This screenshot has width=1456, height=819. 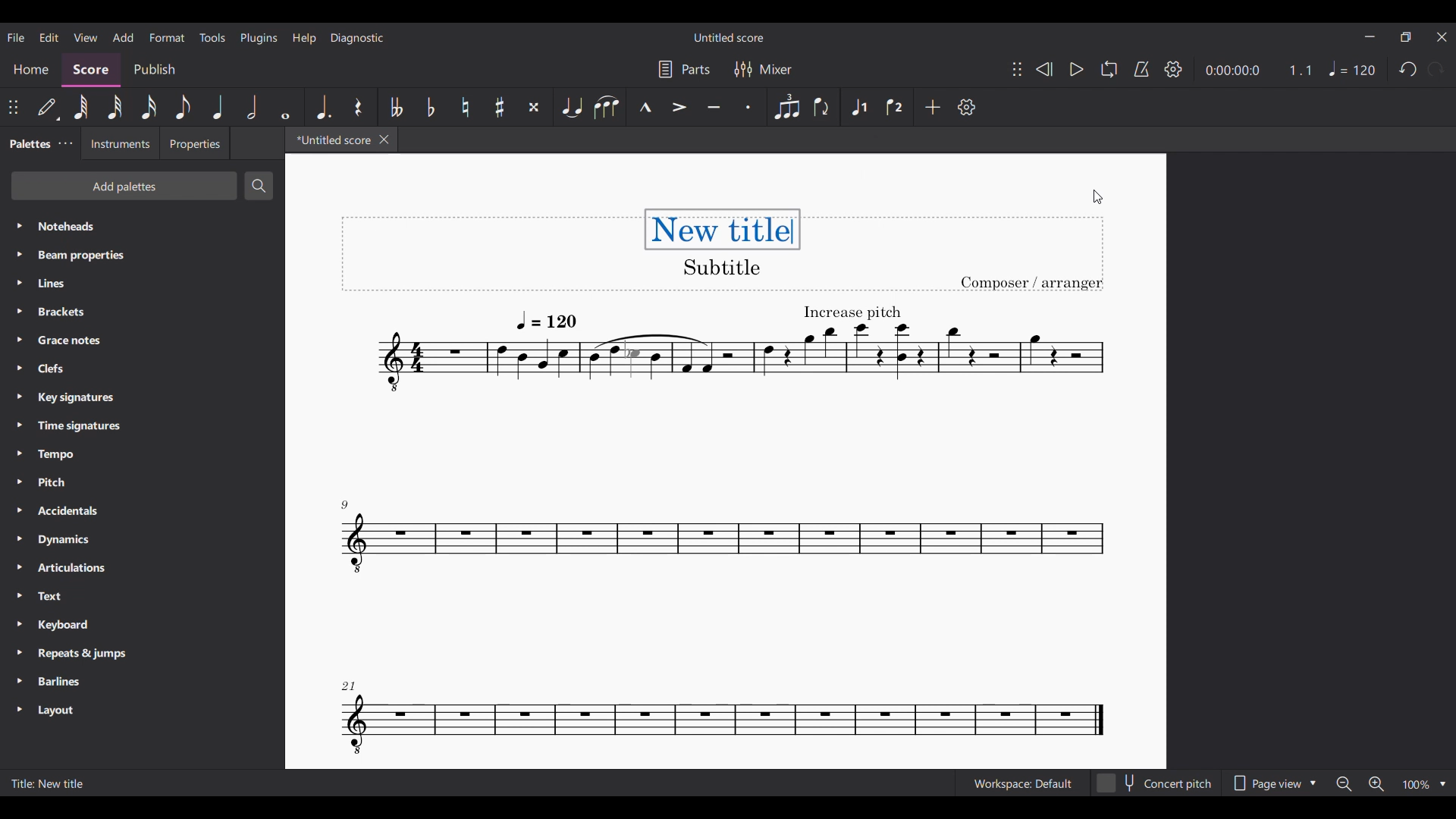 I want to click on Tools menu, so click(x=212, y=37).